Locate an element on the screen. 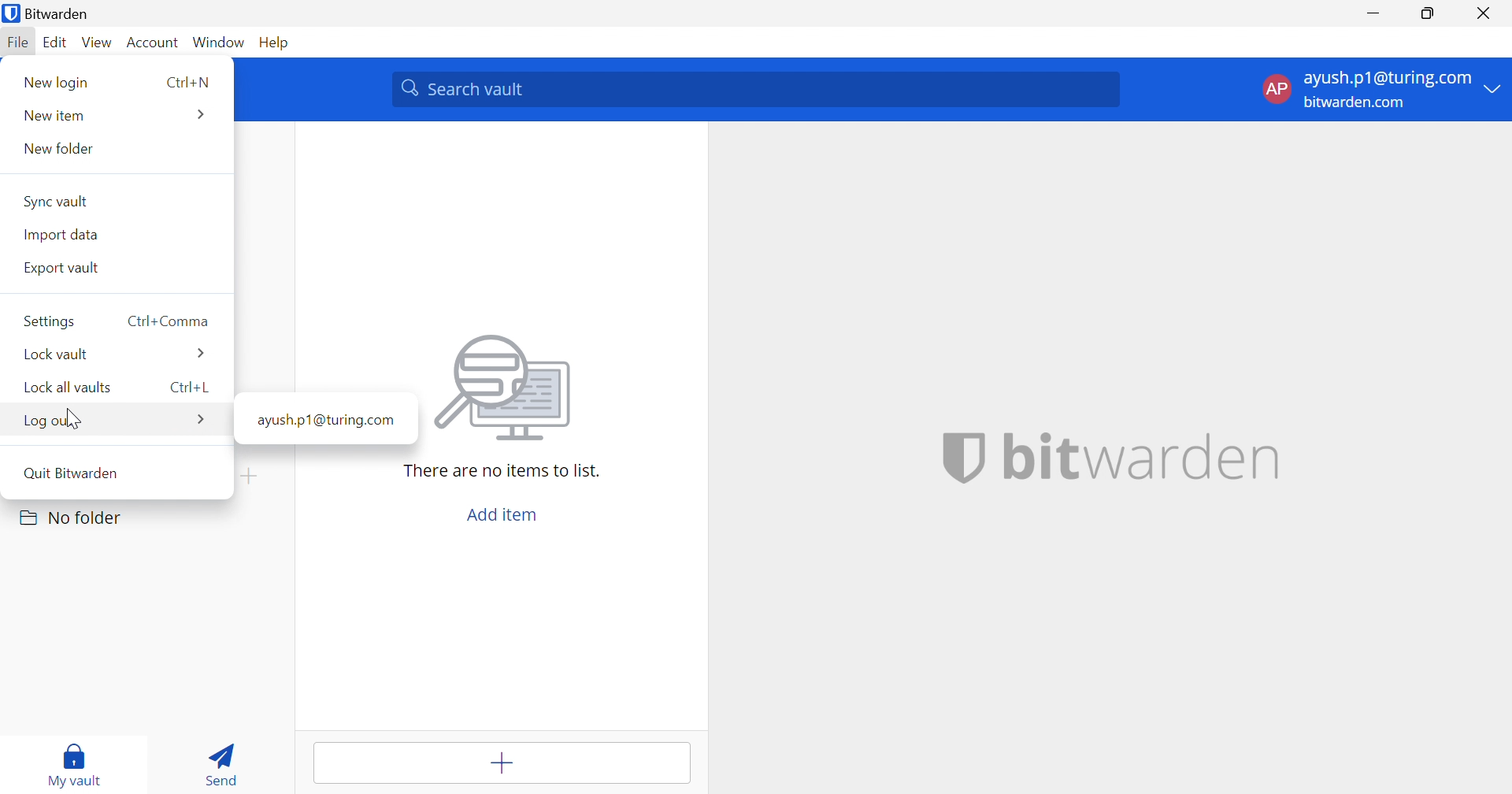 This screenshot has height=794, width=1512. Edit is located at coordinates (57, 43).